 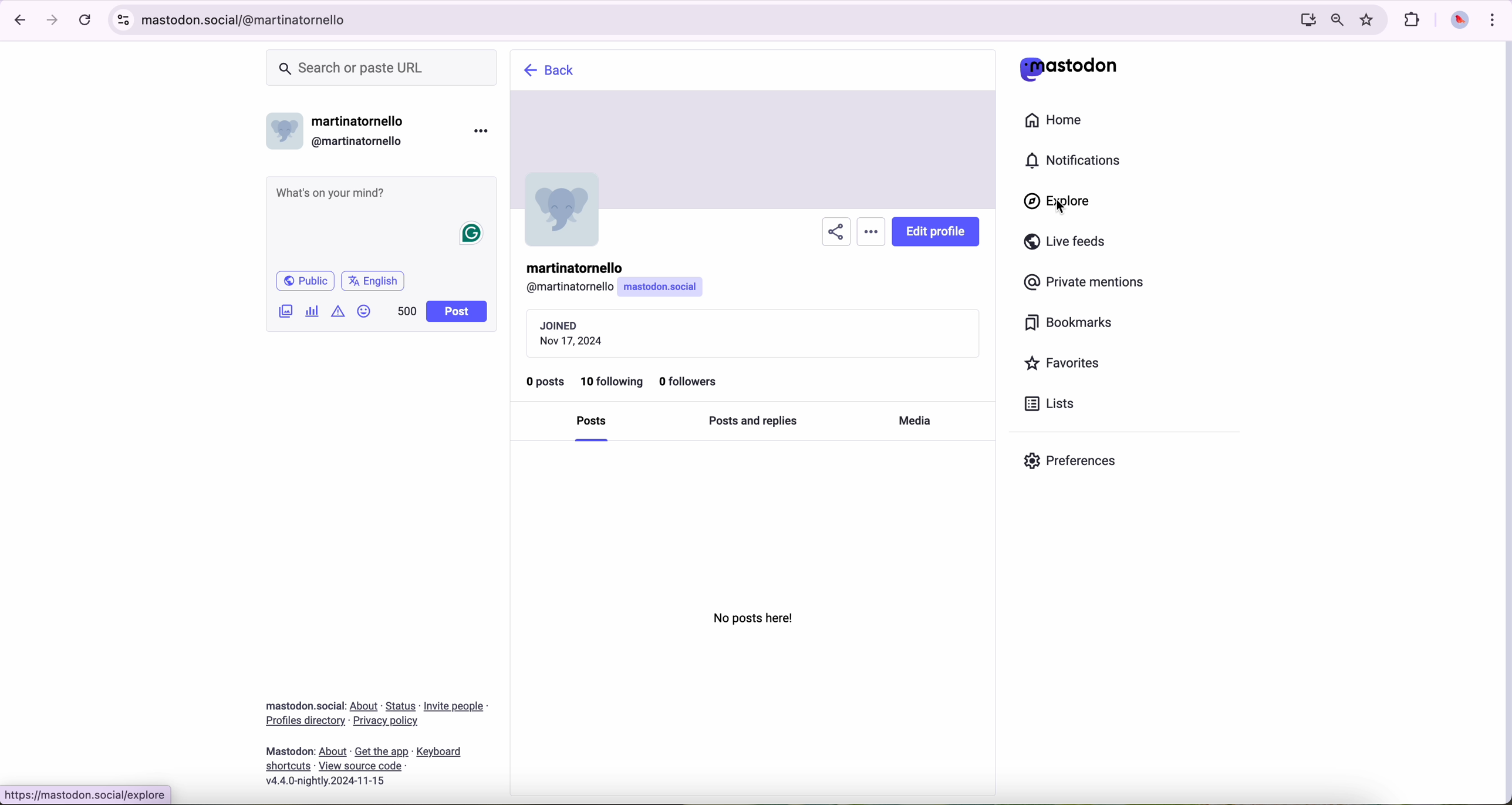 I want to click on media, so click(x=919, y=424).